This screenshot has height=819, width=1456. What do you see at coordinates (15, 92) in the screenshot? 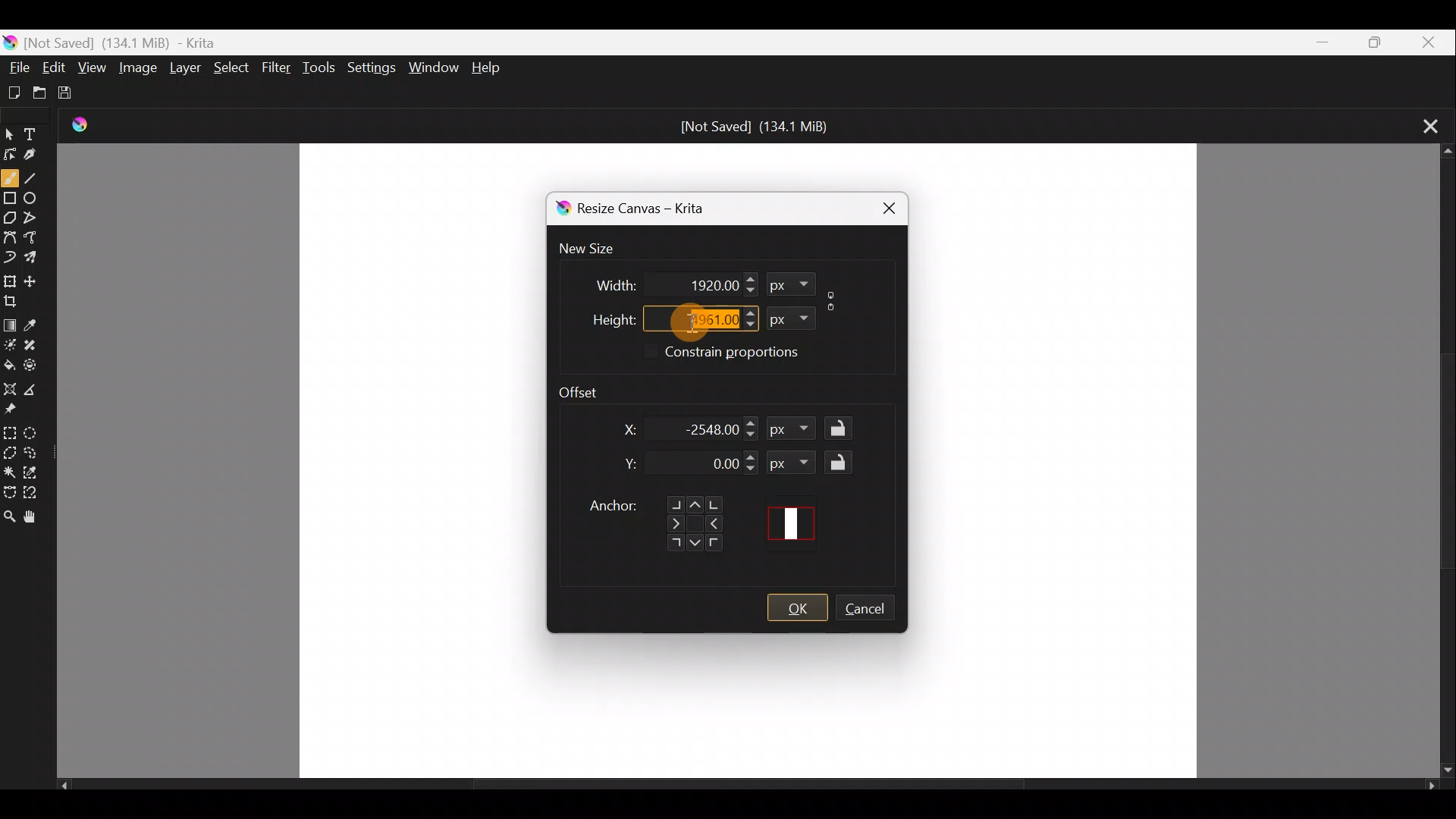
I see `Create a new document` at bounding box center [15, 92].